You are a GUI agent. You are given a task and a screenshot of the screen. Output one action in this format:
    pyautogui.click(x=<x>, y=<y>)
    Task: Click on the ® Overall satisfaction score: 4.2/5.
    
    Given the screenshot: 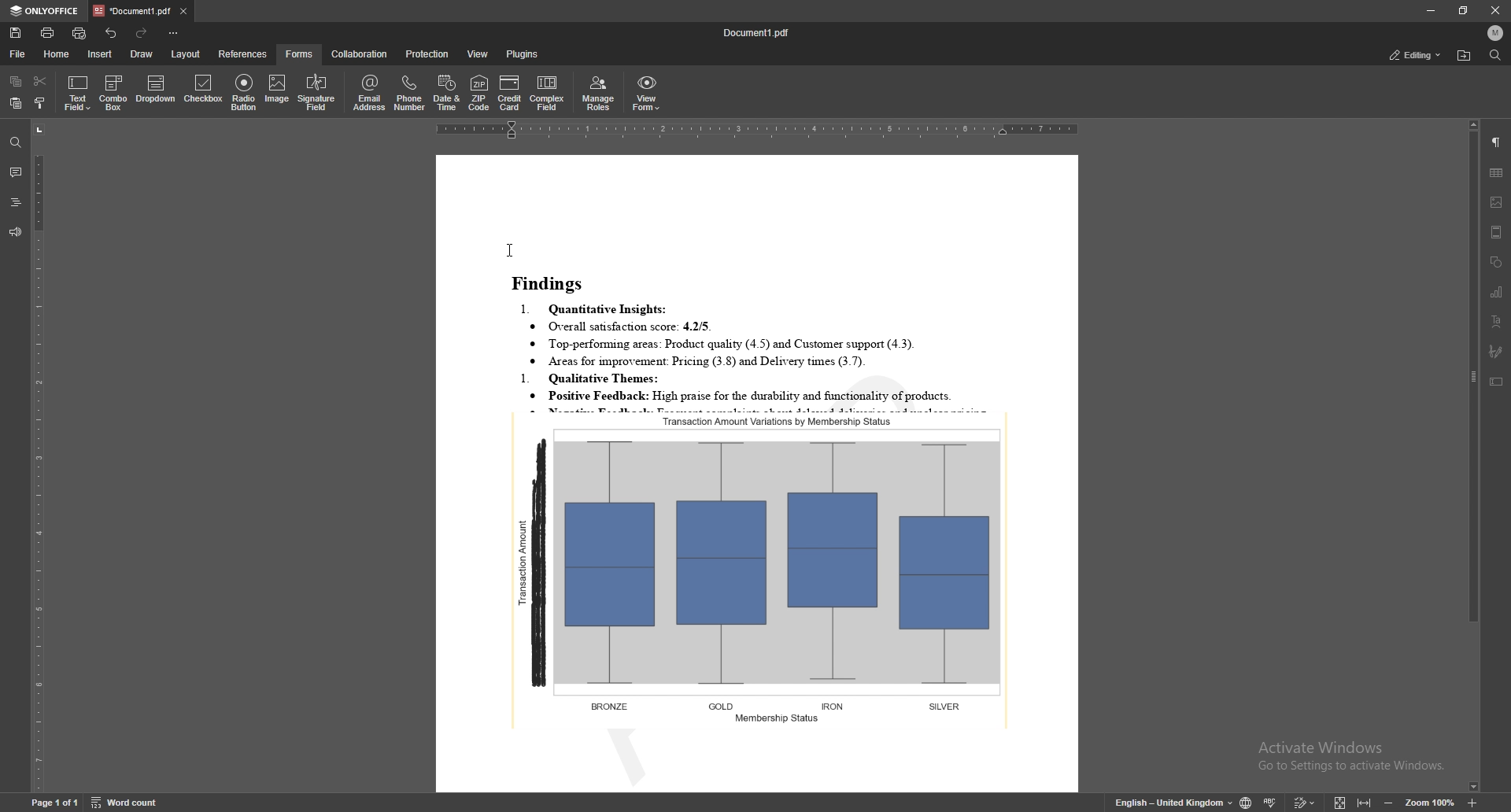 What is the action you would take?
    pyautogui.click(x=623, y=327)
    